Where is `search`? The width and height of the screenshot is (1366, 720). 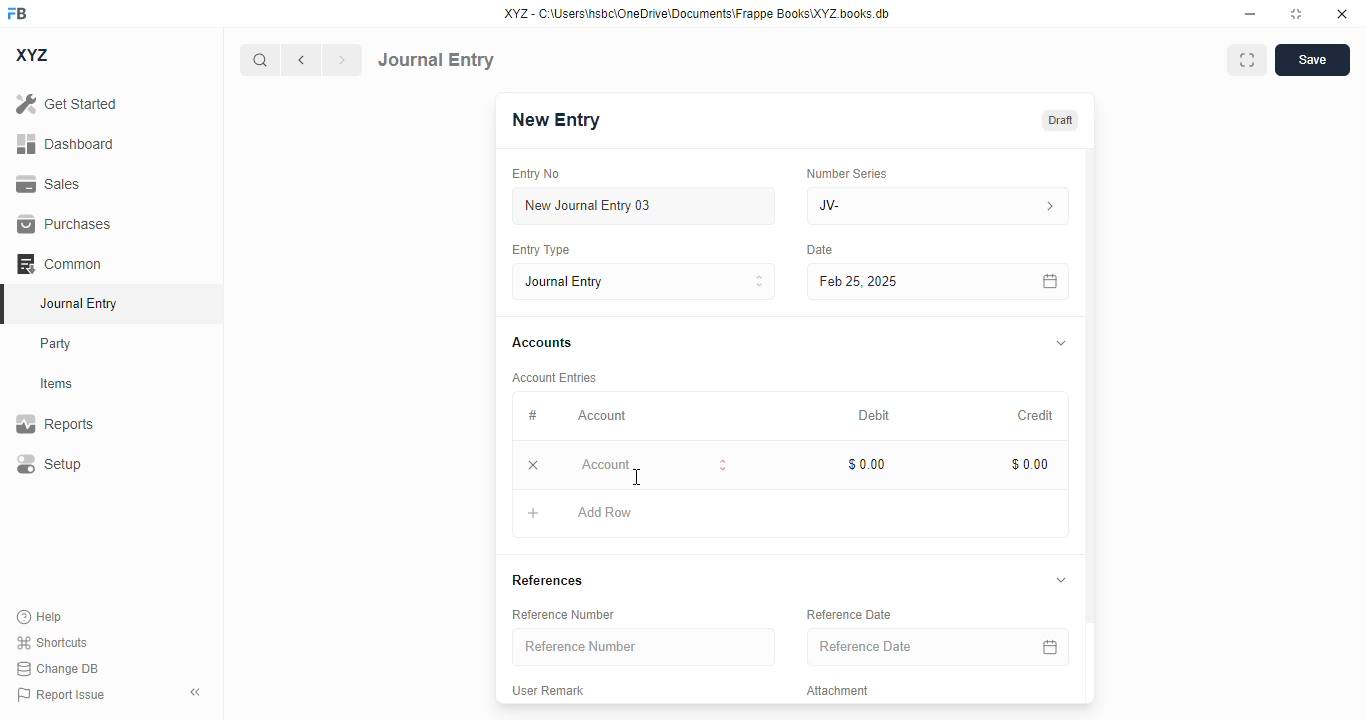 search is located at coordinates (259, 60).